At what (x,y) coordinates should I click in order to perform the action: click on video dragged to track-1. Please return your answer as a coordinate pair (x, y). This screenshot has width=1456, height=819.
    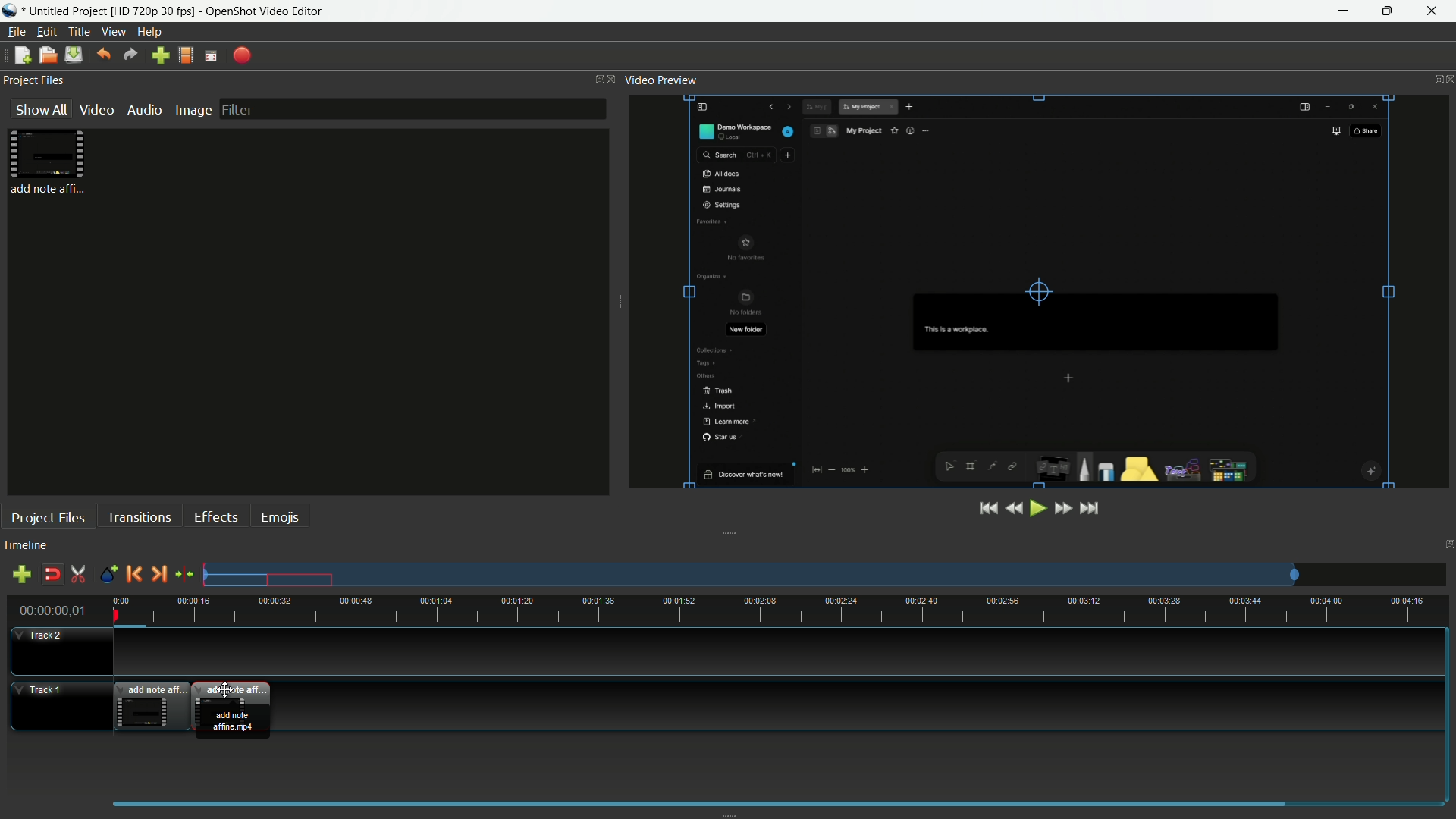
    Looking at the image, I should click on (234, 710).